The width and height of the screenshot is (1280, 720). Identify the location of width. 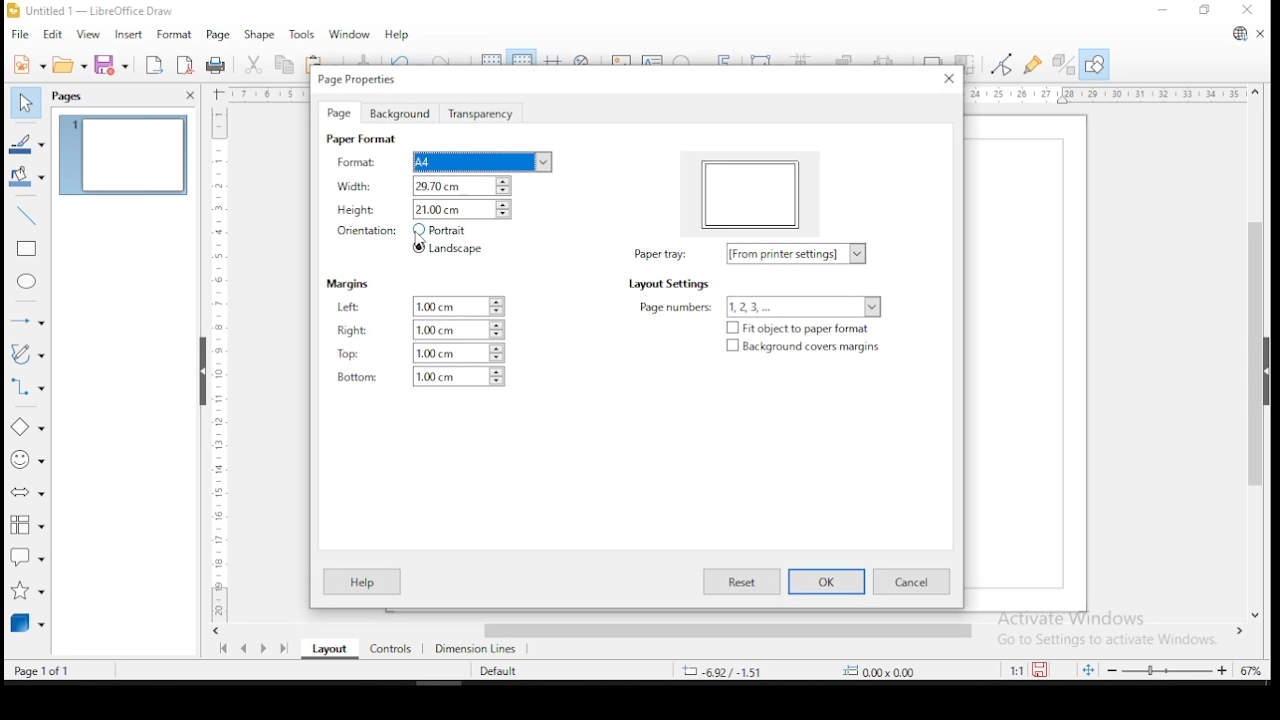
(441, 186).